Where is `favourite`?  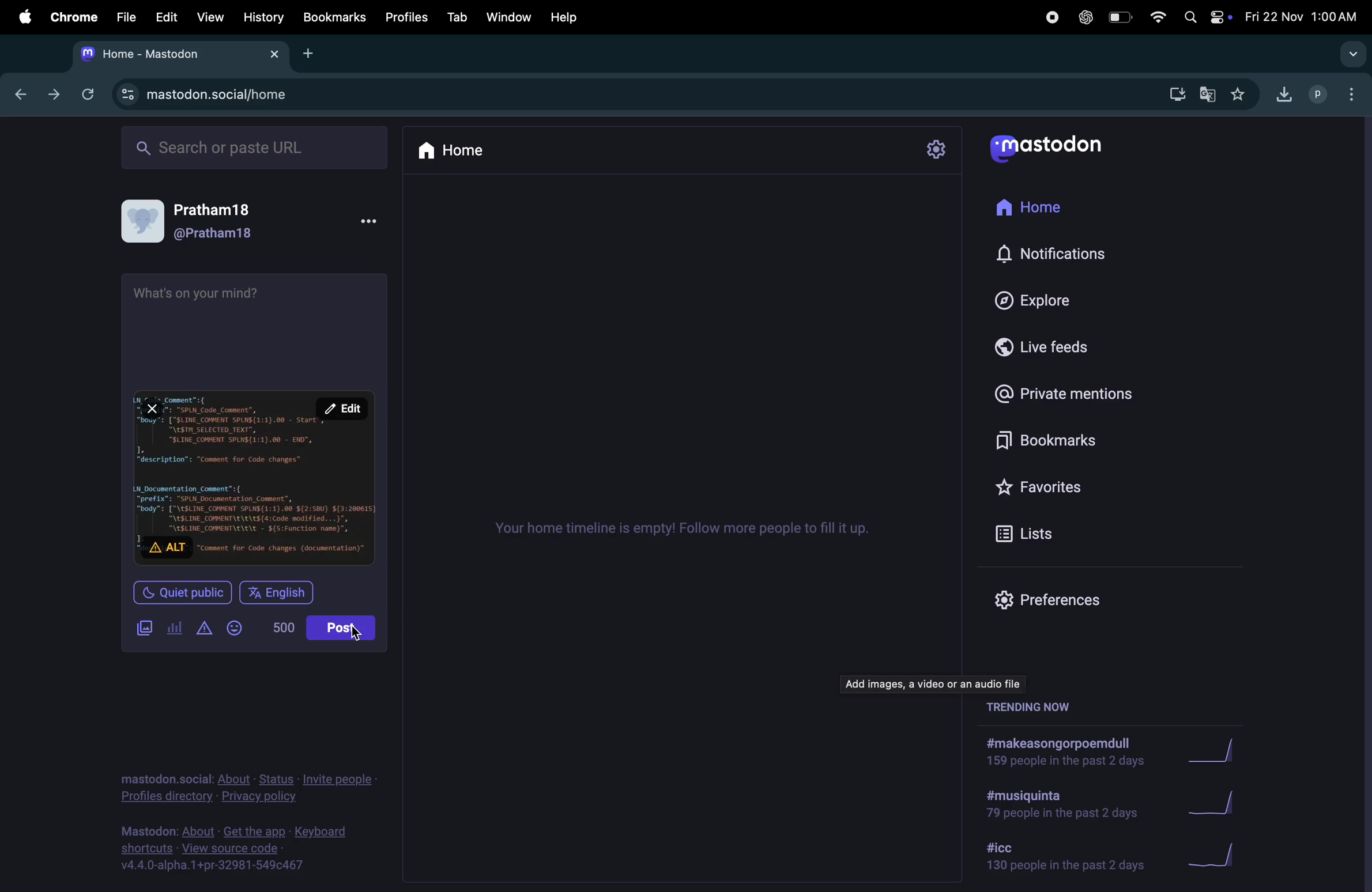 favourite is located at coordinates (1242, 95).